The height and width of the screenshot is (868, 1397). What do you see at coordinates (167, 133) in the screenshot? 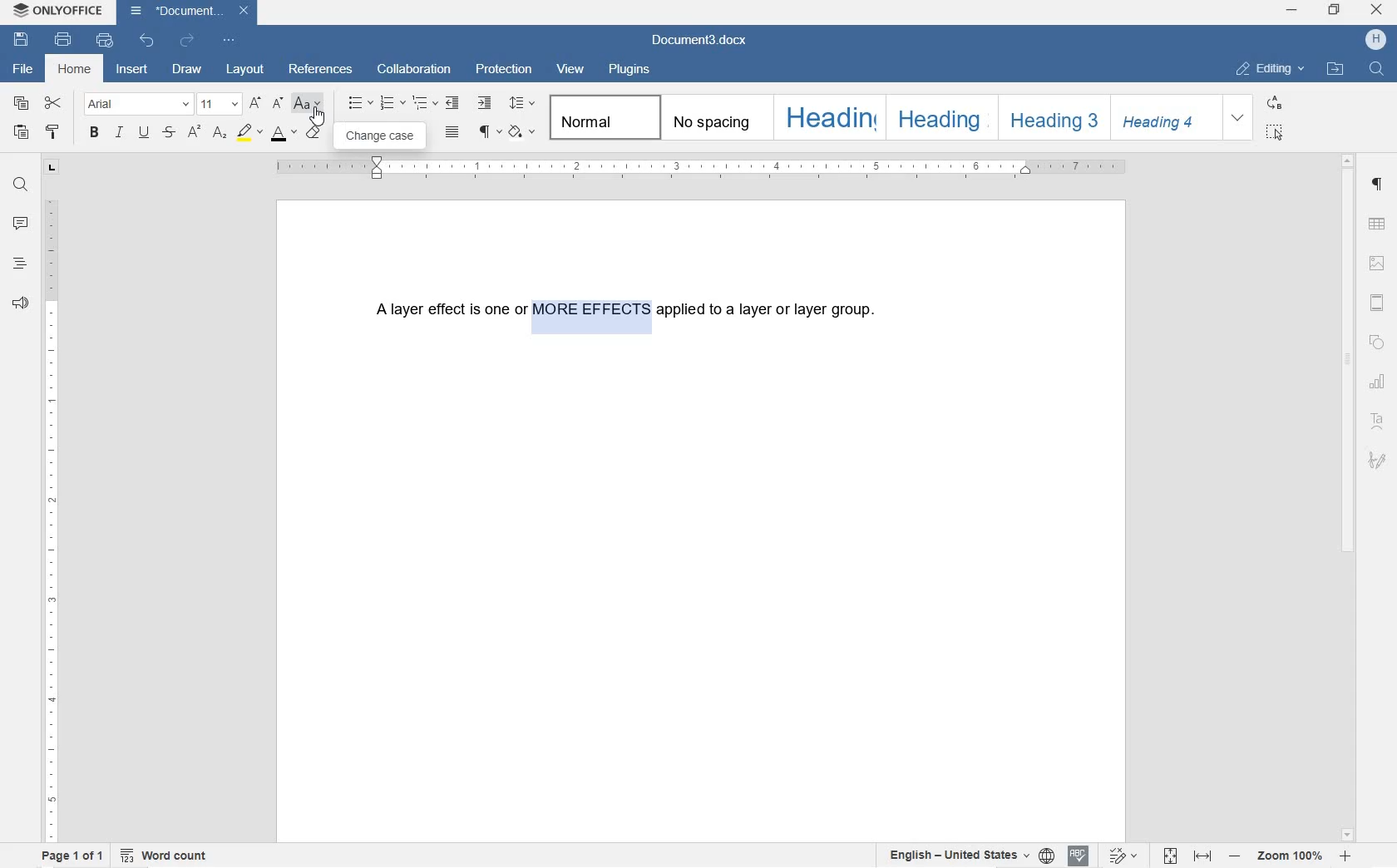
I see `STRIKETHROUGH` at bounding box center [167, 133].